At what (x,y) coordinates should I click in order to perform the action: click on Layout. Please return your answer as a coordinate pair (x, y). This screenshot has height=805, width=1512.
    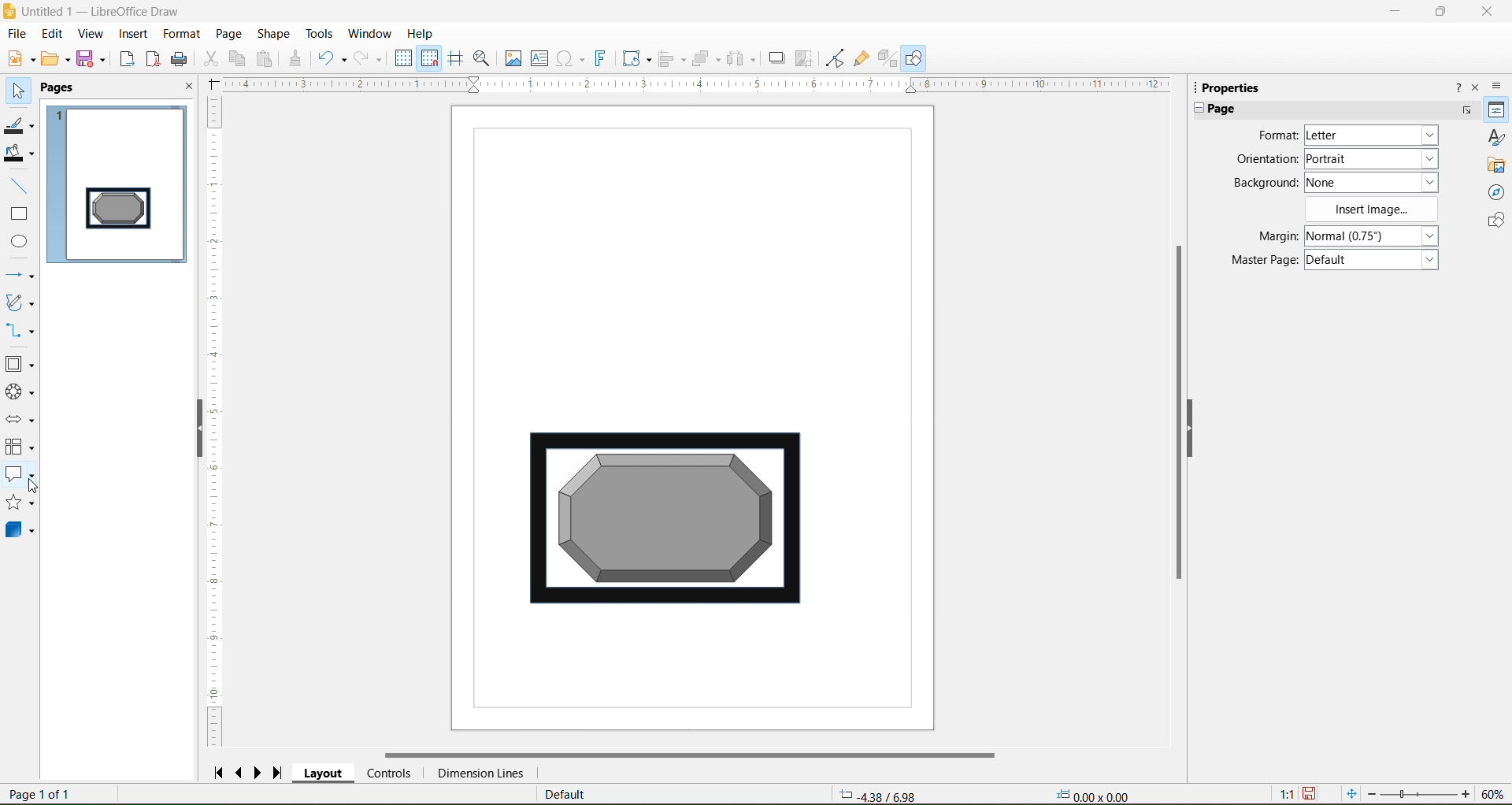
    Looking at the image, I should click on (324, 774).